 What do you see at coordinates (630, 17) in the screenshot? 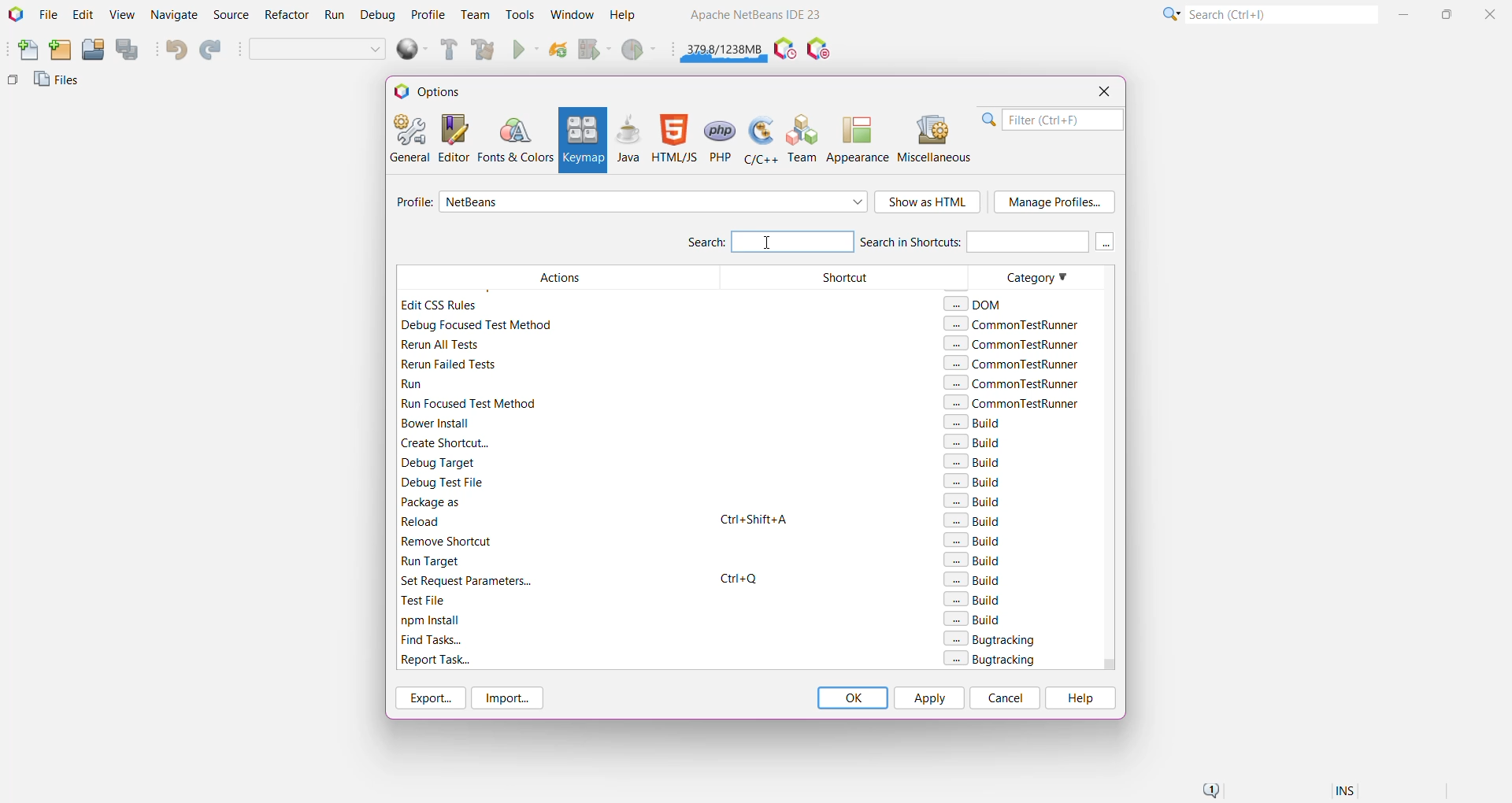
I see `Help` at bounding box center [630, 17].